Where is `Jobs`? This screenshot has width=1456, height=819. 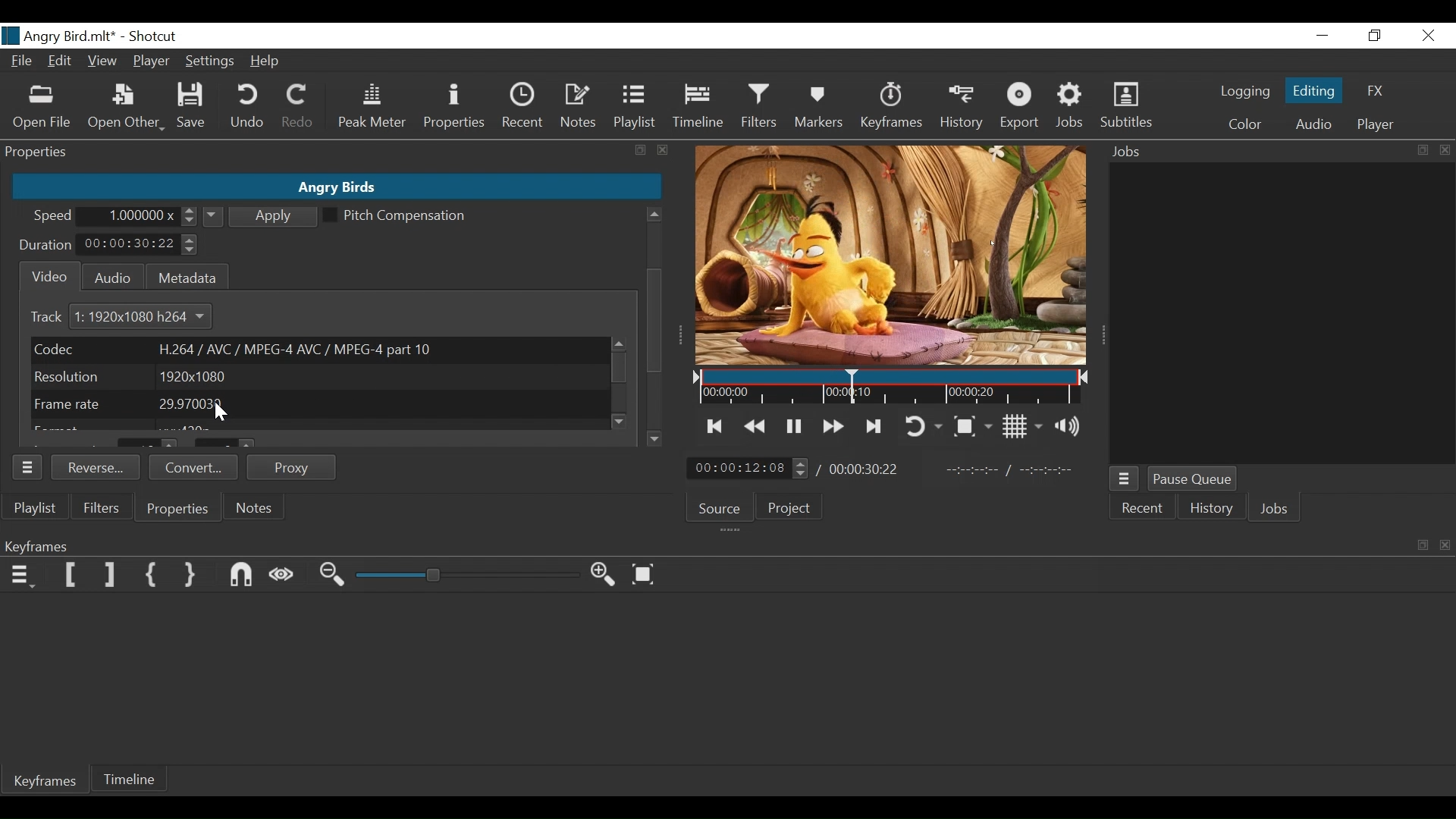 Jobs is located at coordinates (1276, 509).